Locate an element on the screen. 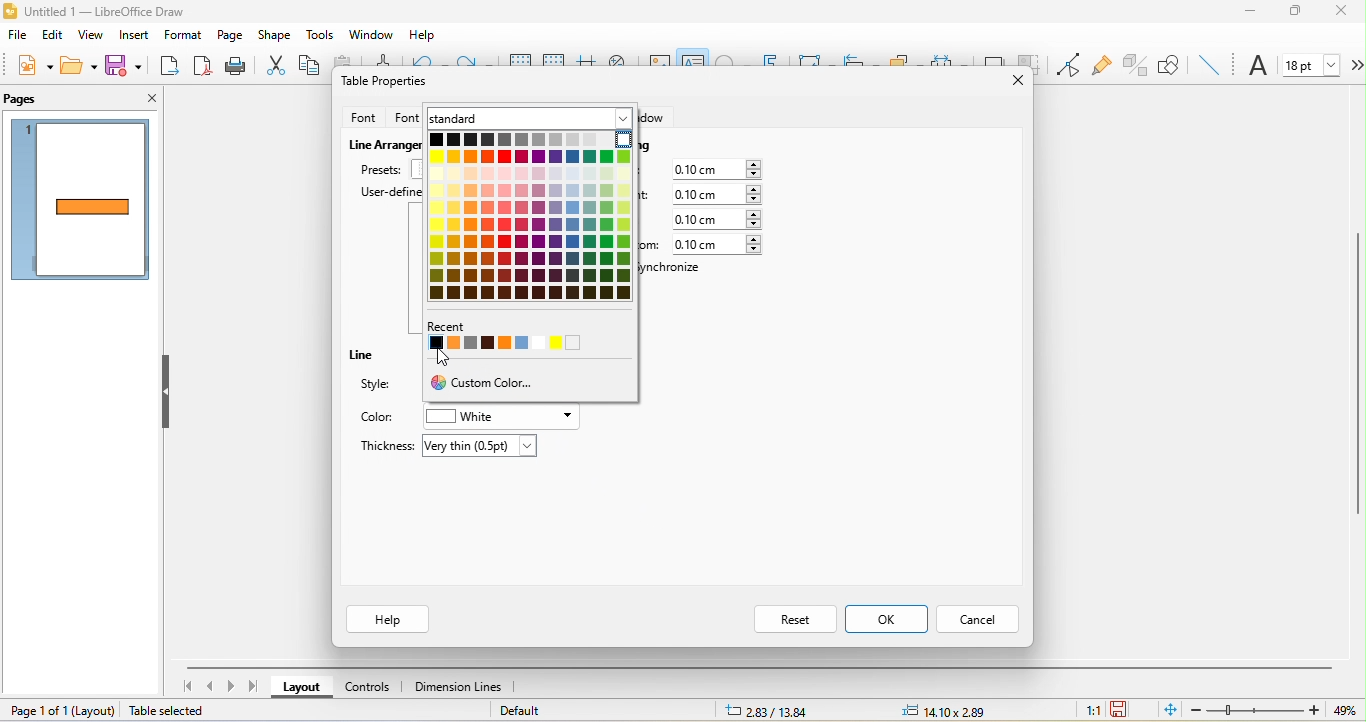  toggle point edit mode is located at coordinates (1070, 65).